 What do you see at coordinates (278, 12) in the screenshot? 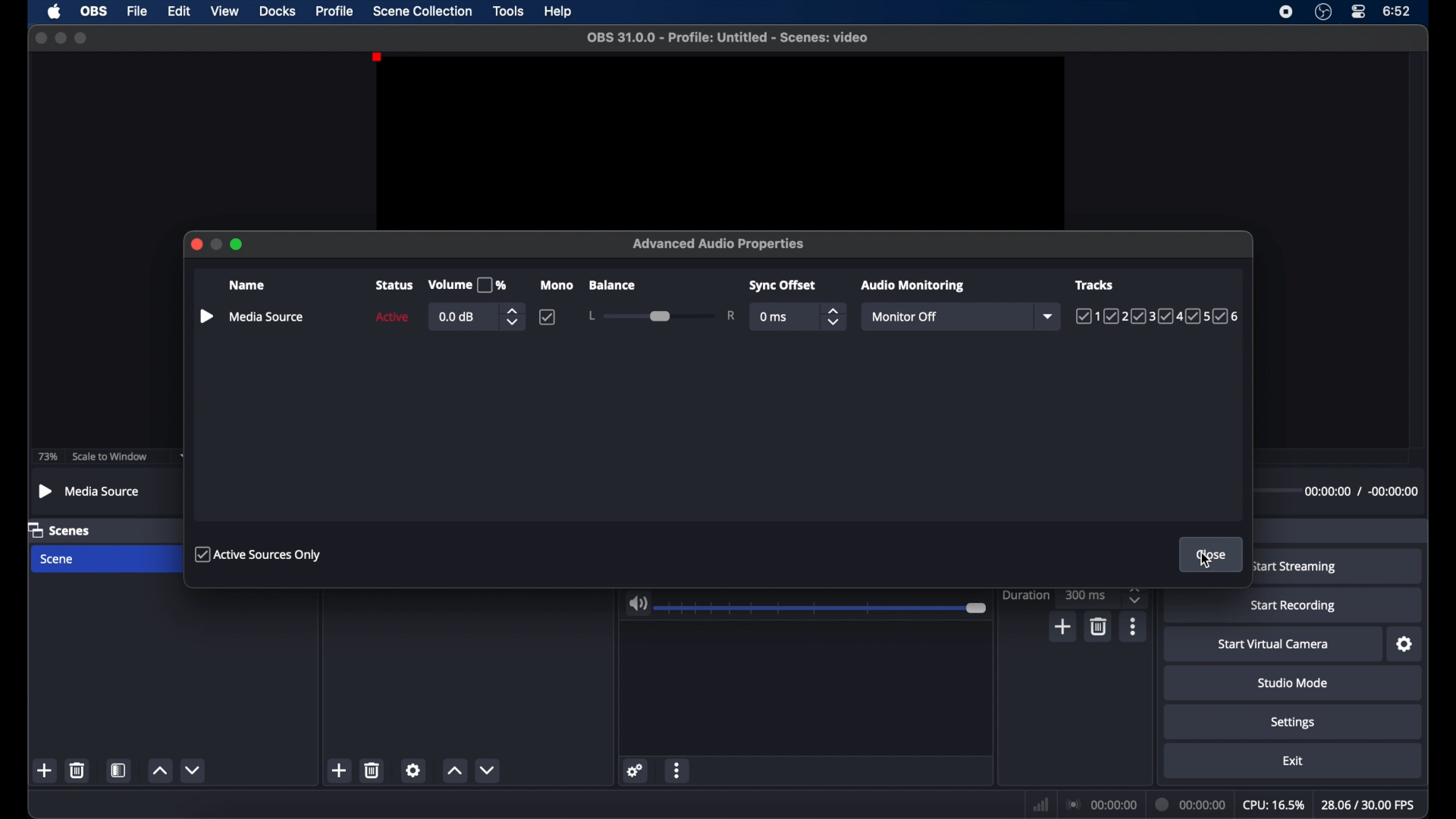
I see `docks` at bounding box center [278, 12].